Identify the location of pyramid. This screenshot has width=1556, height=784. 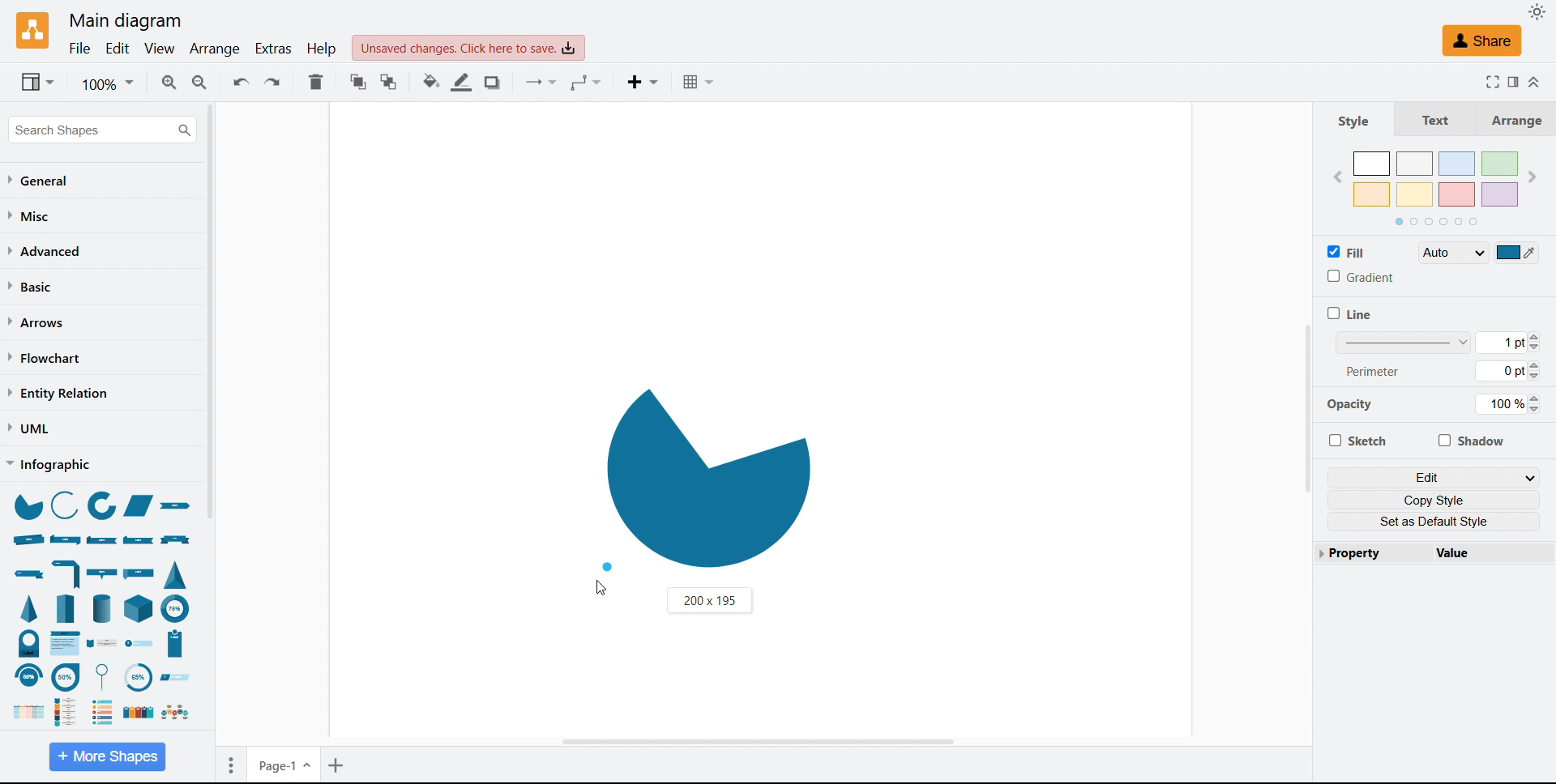
(32, 608).